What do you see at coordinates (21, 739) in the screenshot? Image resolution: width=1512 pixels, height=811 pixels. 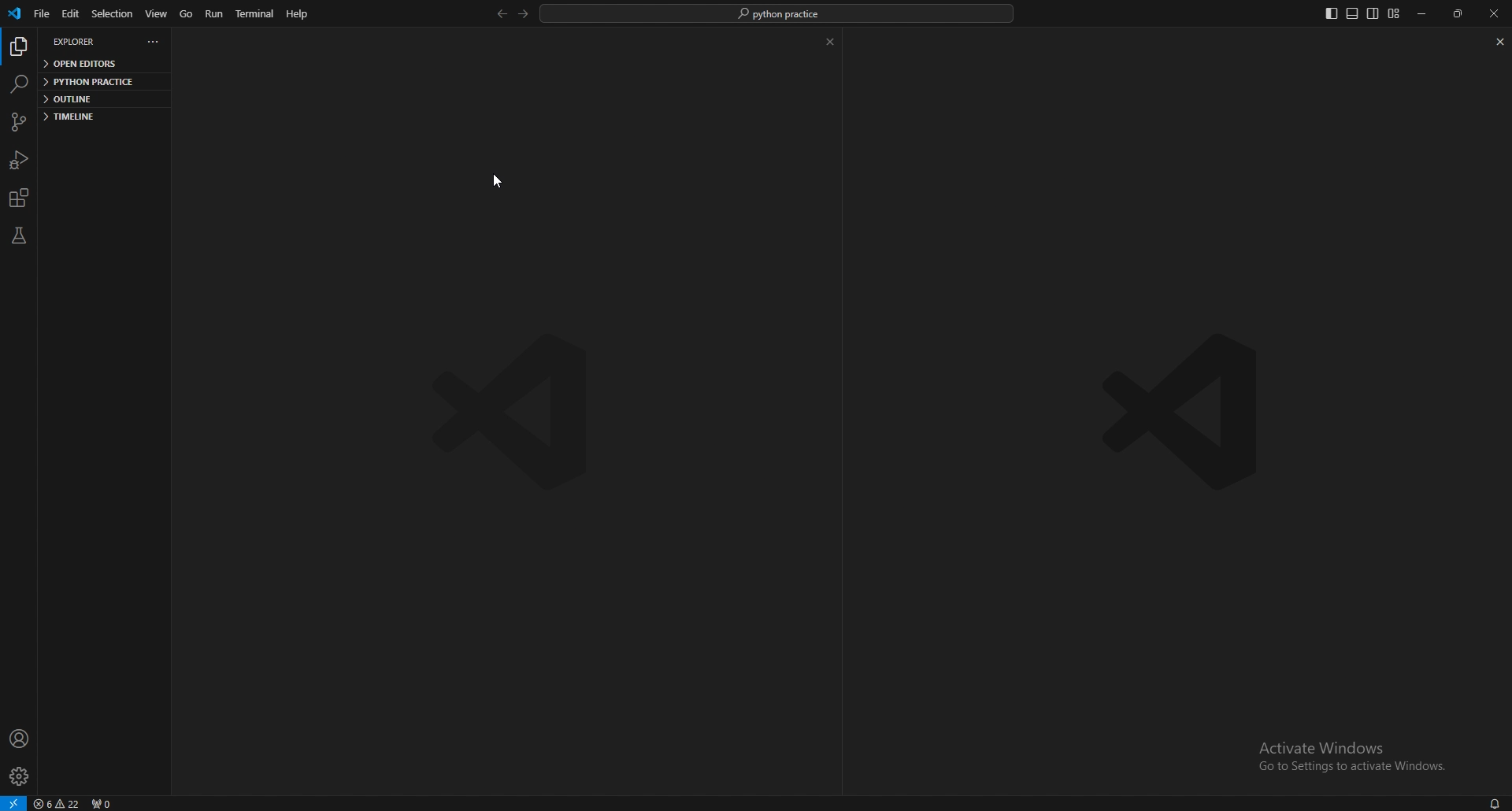 I see `profile` at bounding box center [21, 739].